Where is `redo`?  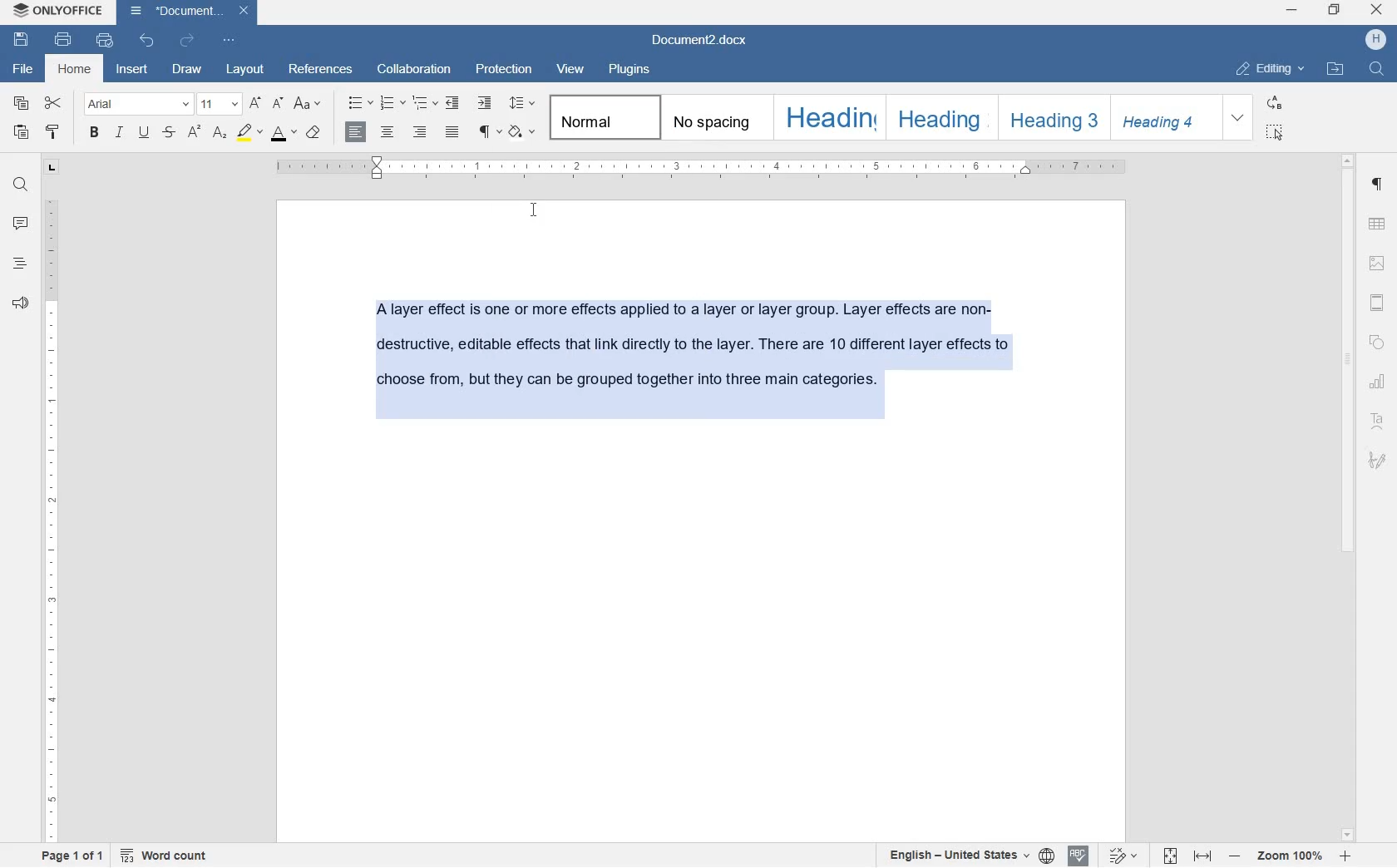
redo is located at coordinates (184, 42).